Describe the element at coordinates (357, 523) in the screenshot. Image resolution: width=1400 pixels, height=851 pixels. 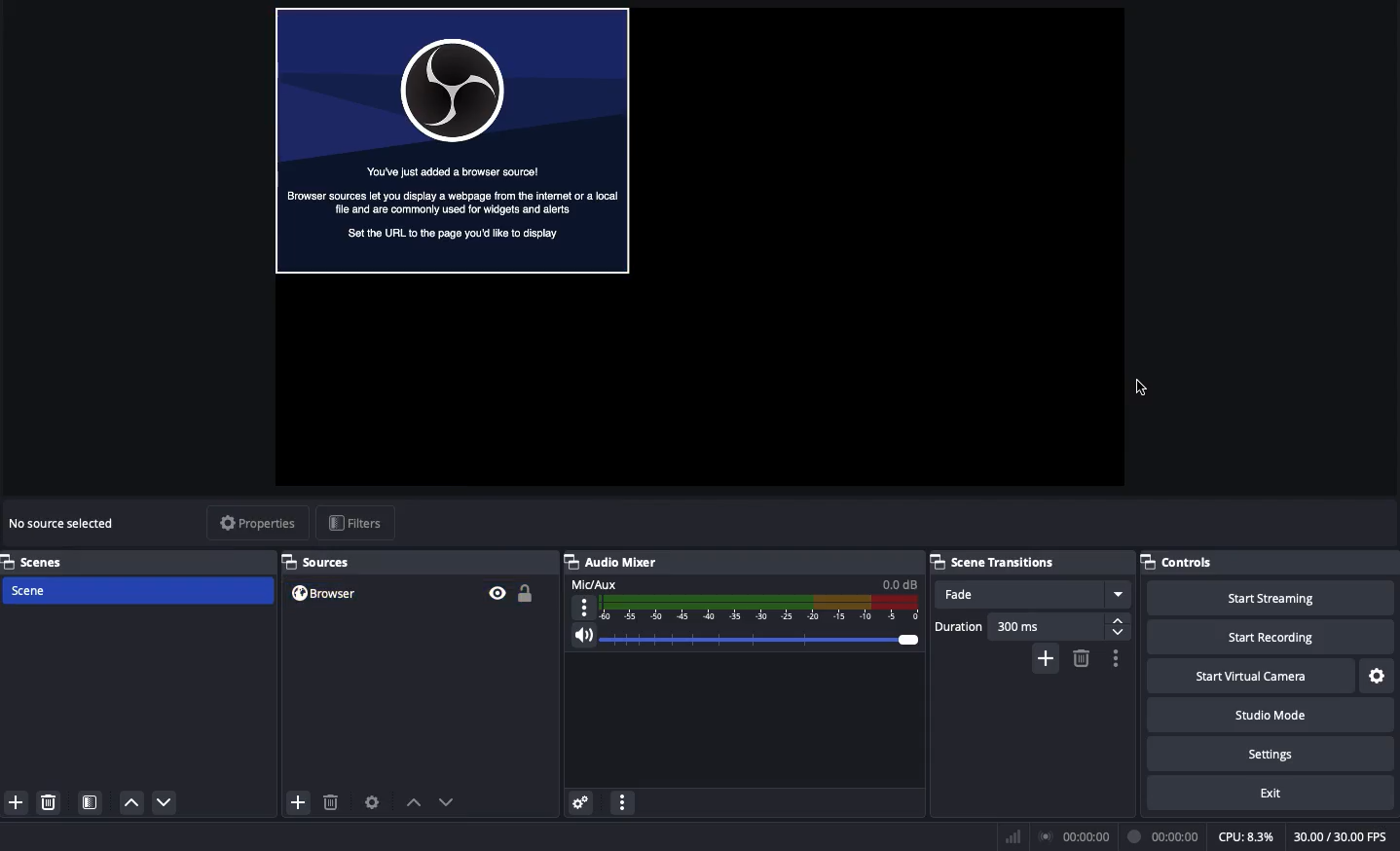
I see `Filters` at that location.